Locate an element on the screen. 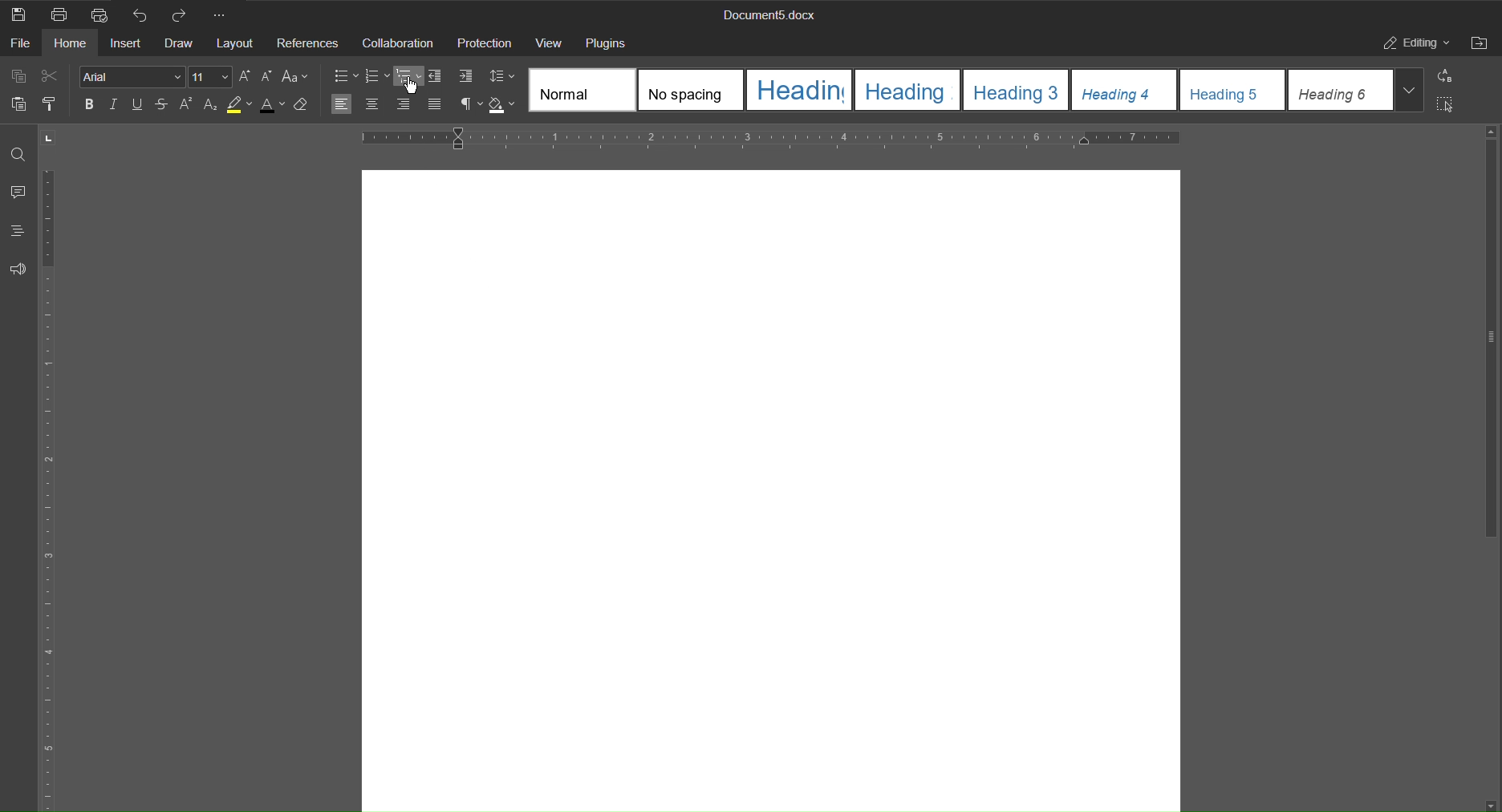  Increase Indents is located at coordinates (466, 76).